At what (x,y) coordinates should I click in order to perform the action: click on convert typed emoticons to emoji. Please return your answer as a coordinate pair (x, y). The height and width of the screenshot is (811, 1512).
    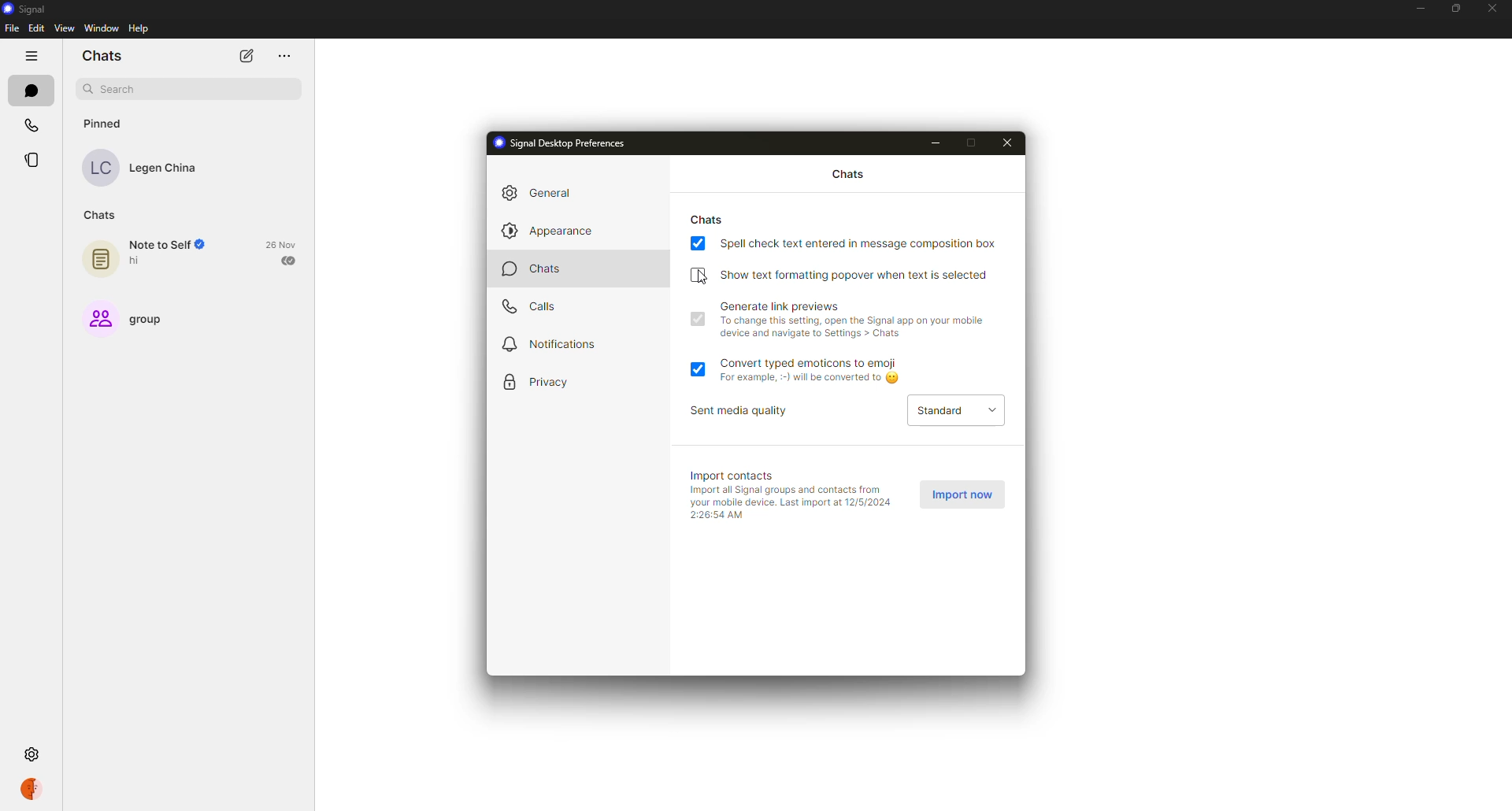
    Looking at the image, I should click on (819, 371).